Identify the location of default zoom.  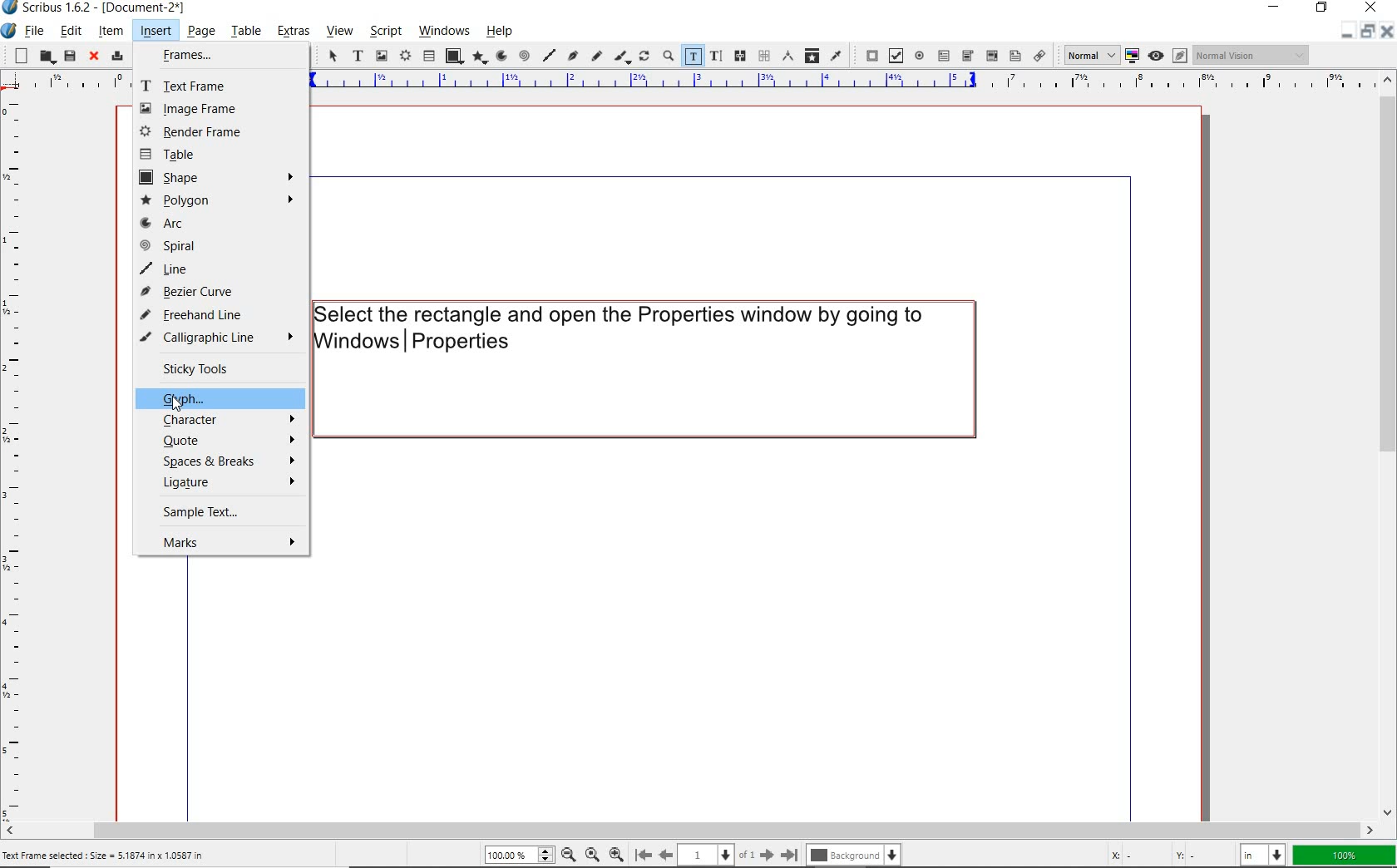
(591, 852).